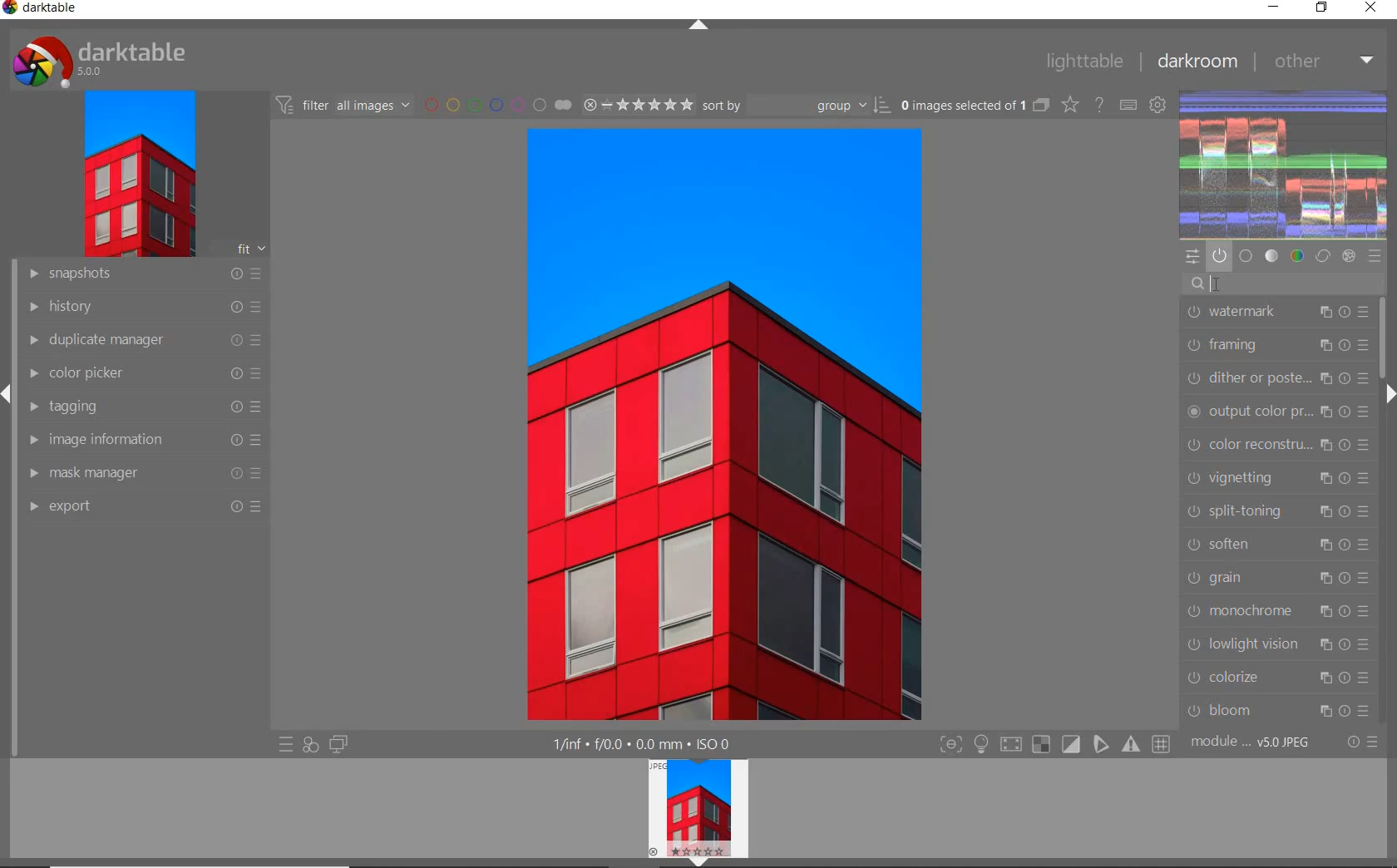 The width and height of the screenshot is (1397, 868). I want to click on filter by image color label, so click(497, 105).